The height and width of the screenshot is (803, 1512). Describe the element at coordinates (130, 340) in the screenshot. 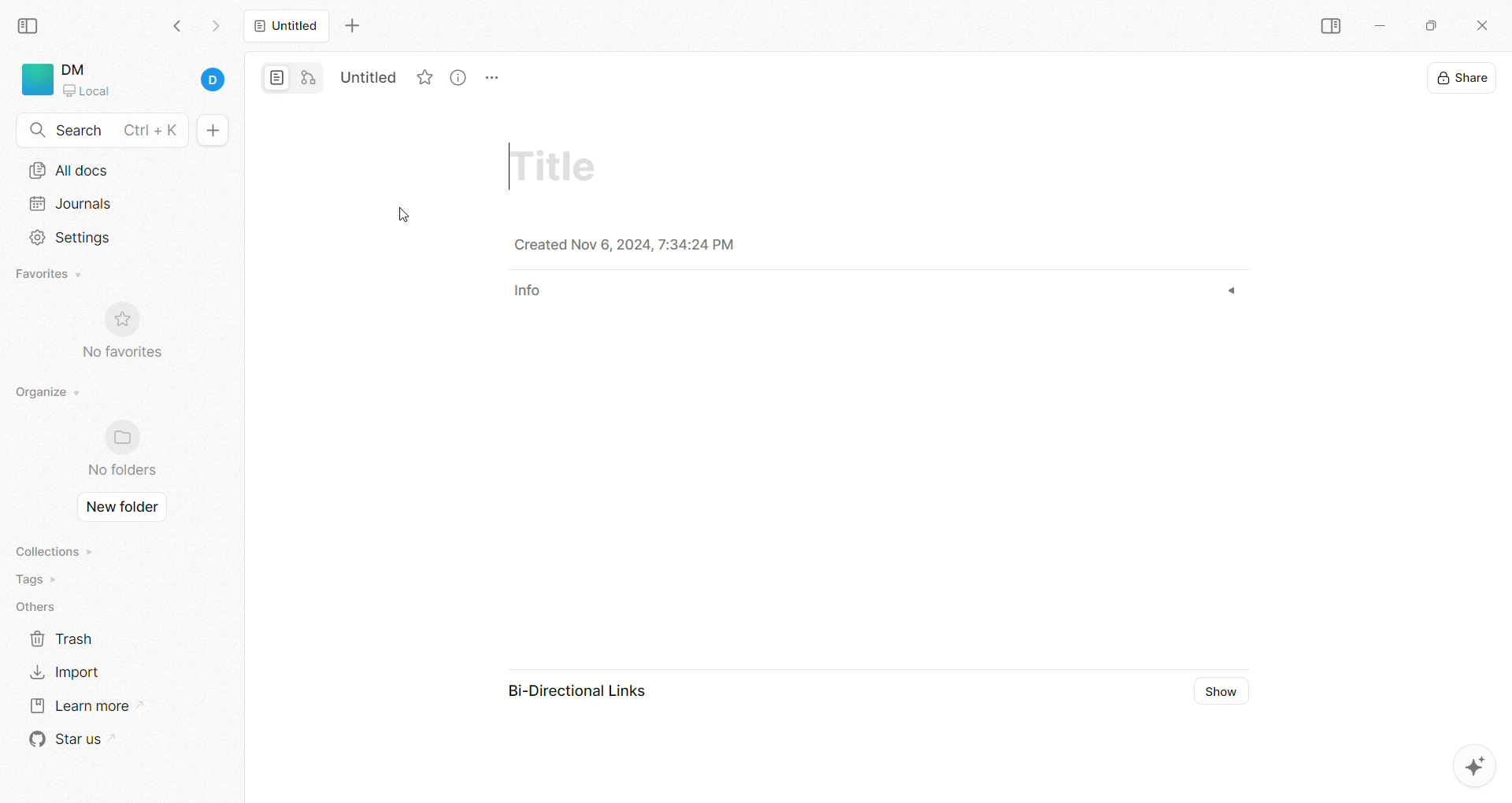

I see `no favorites` at that location.